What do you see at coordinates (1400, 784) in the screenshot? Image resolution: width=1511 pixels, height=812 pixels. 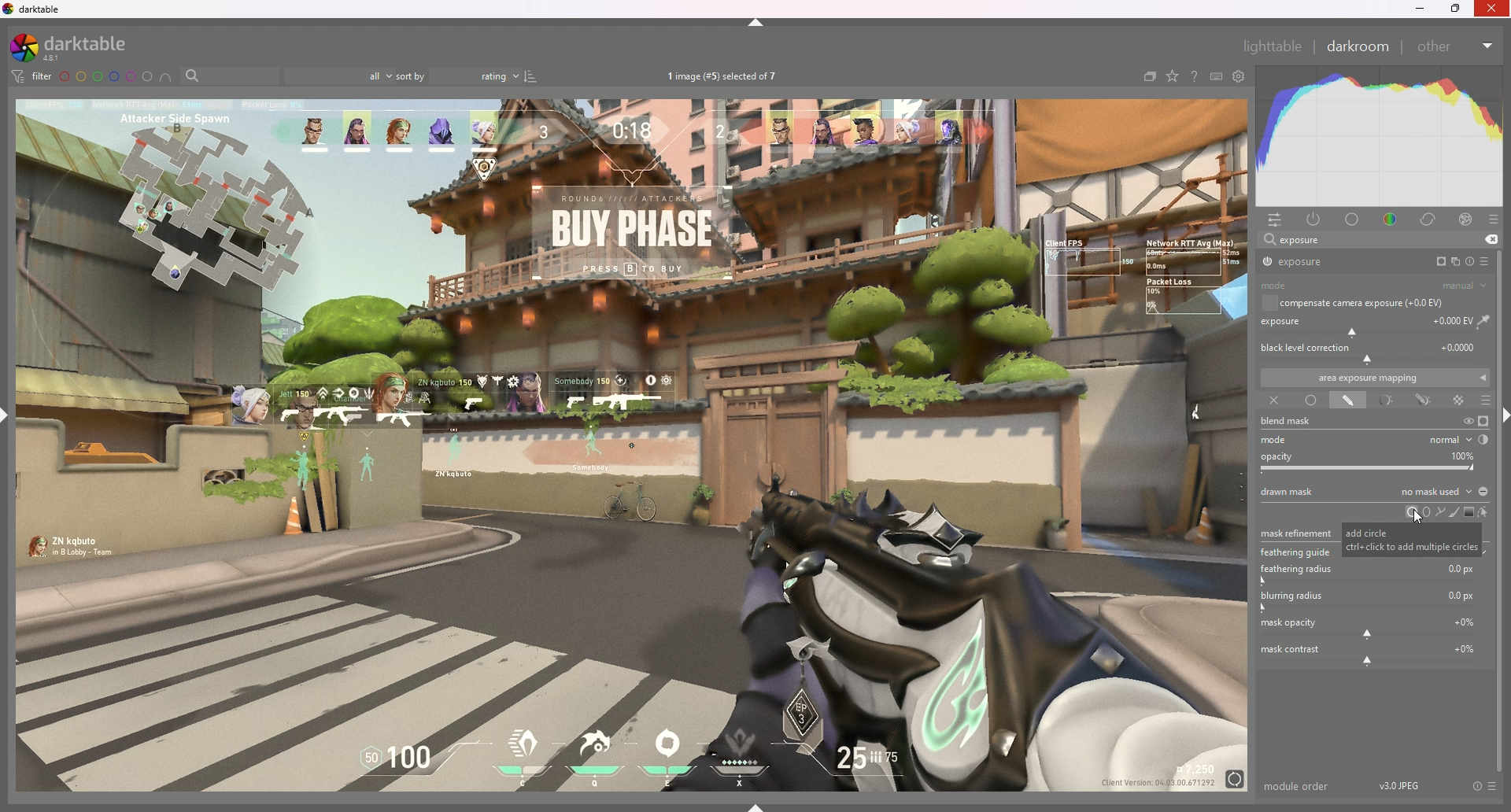 I see `version` at bounding box center [1400, 784].